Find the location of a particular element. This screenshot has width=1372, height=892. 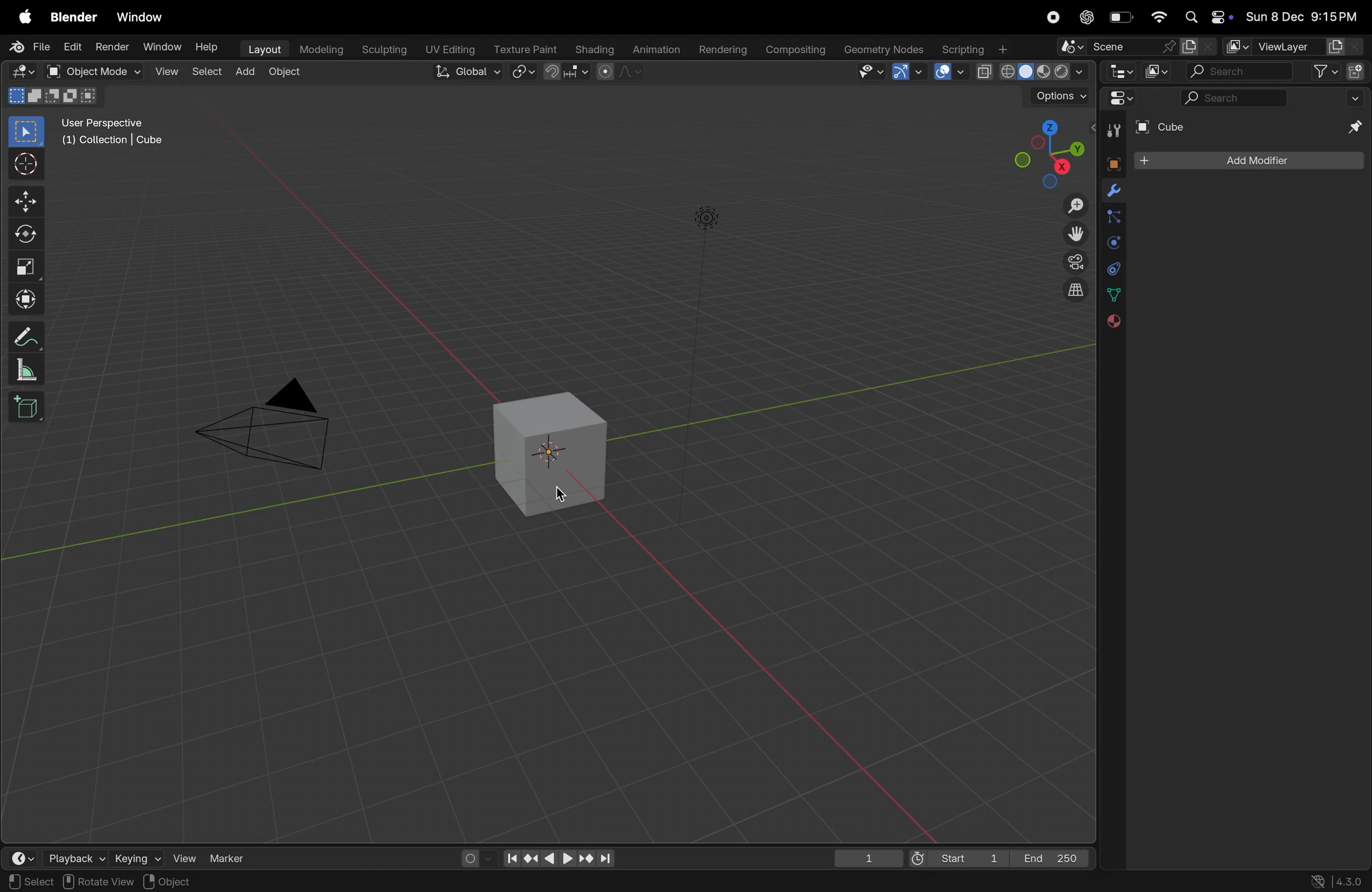

select is located at coordinates (209, 71).